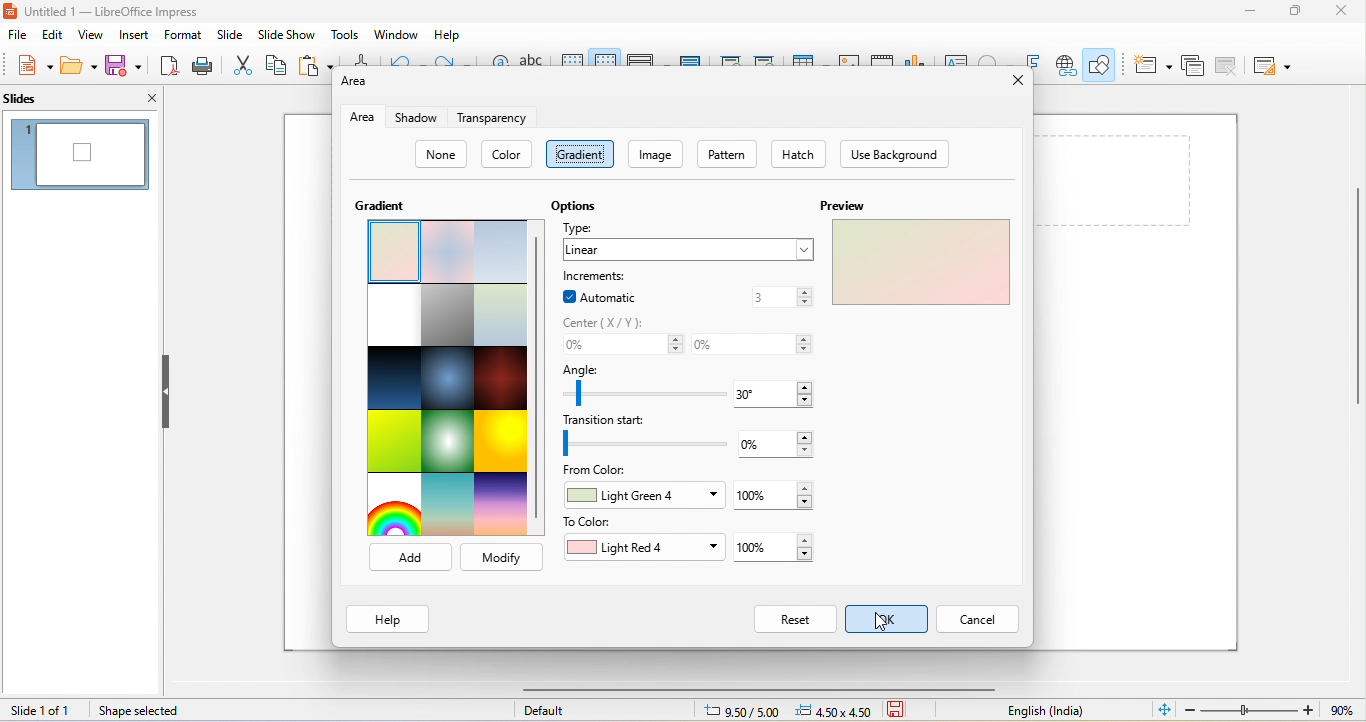 This screenshot has width=1366, height=722. What do you see at coordinates (759, 549) in the screenshot?
I see `to color percentage` at bounding box center [759, 549].